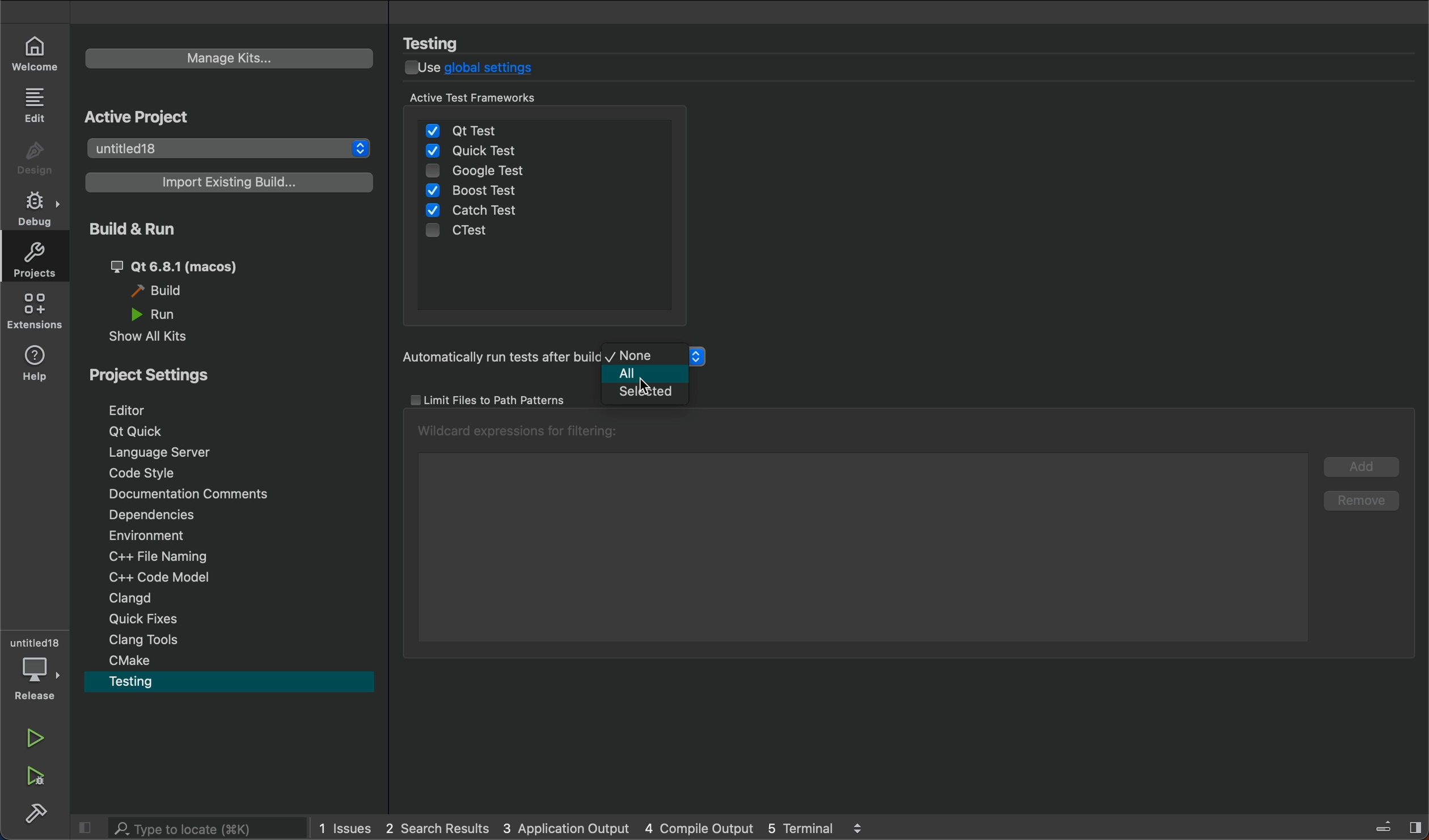  Describe the element at coordinates (34, 774) in the screenshot. I see `run and debug` at that location.